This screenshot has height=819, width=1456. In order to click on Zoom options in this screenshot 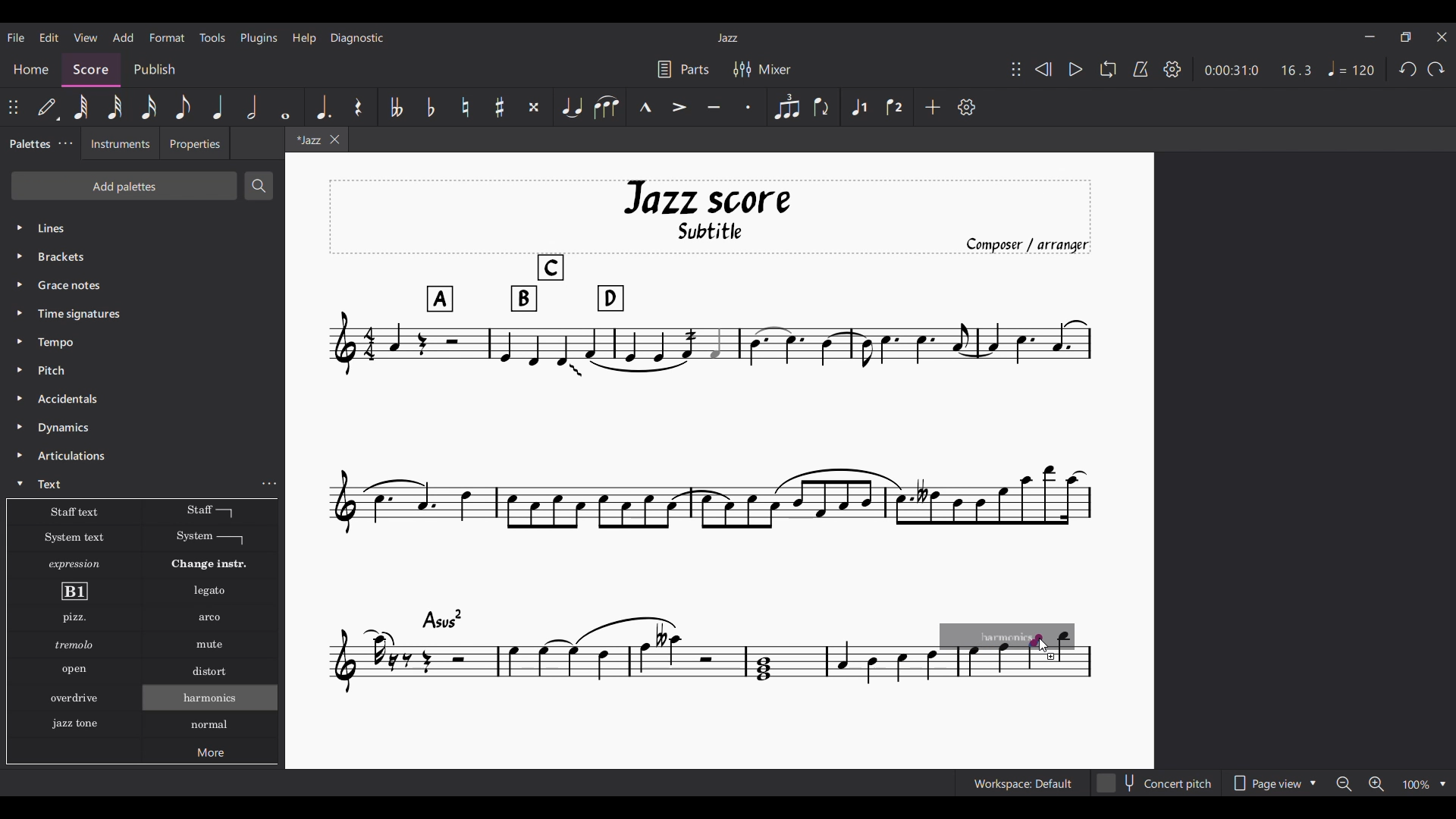, I will do `click(1391, 783)`.